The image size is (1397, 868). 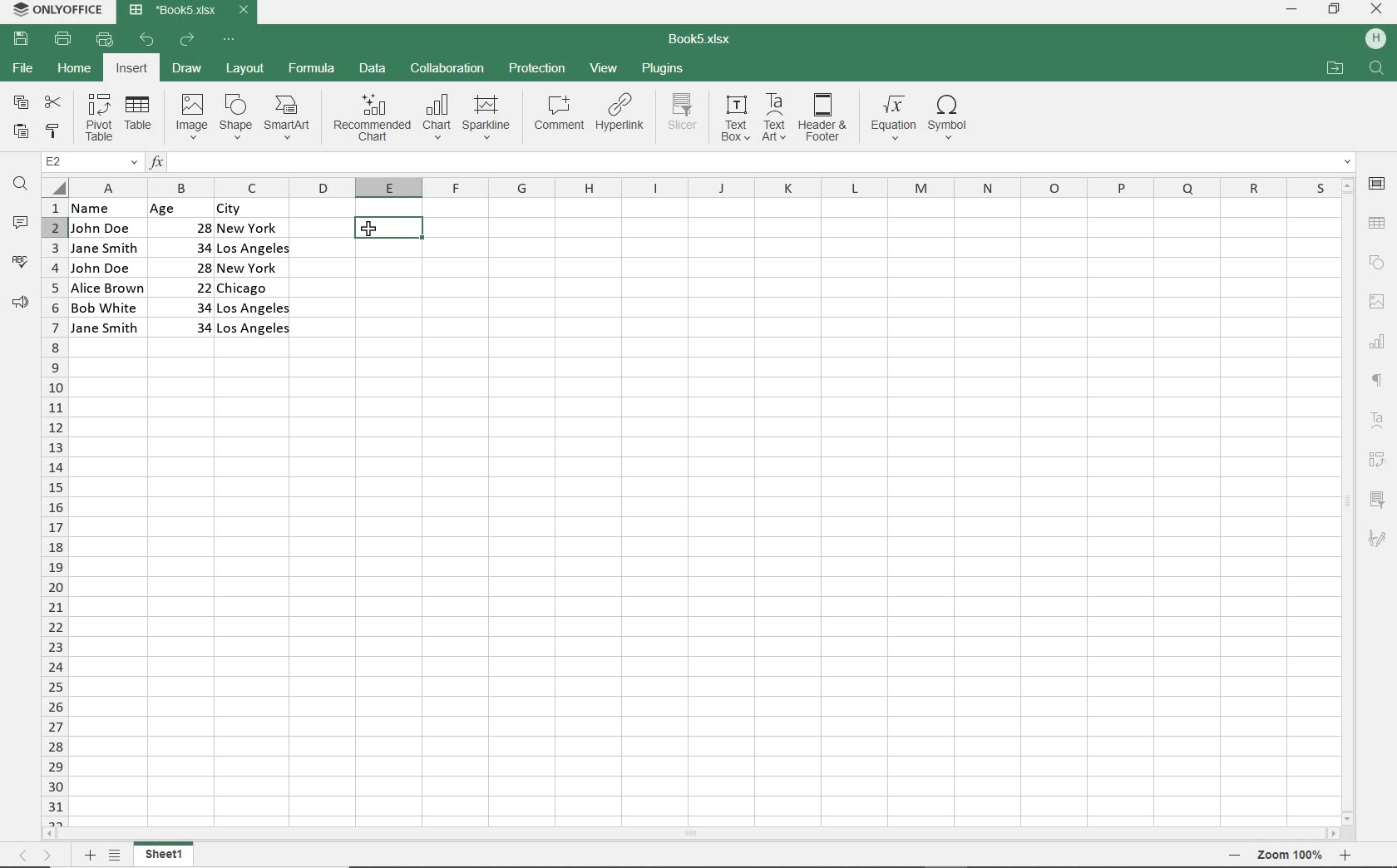 What do you see at coordinates (953, 117) in the screenshot?
I see `SYMBOL` at bounding box center [953, 117].